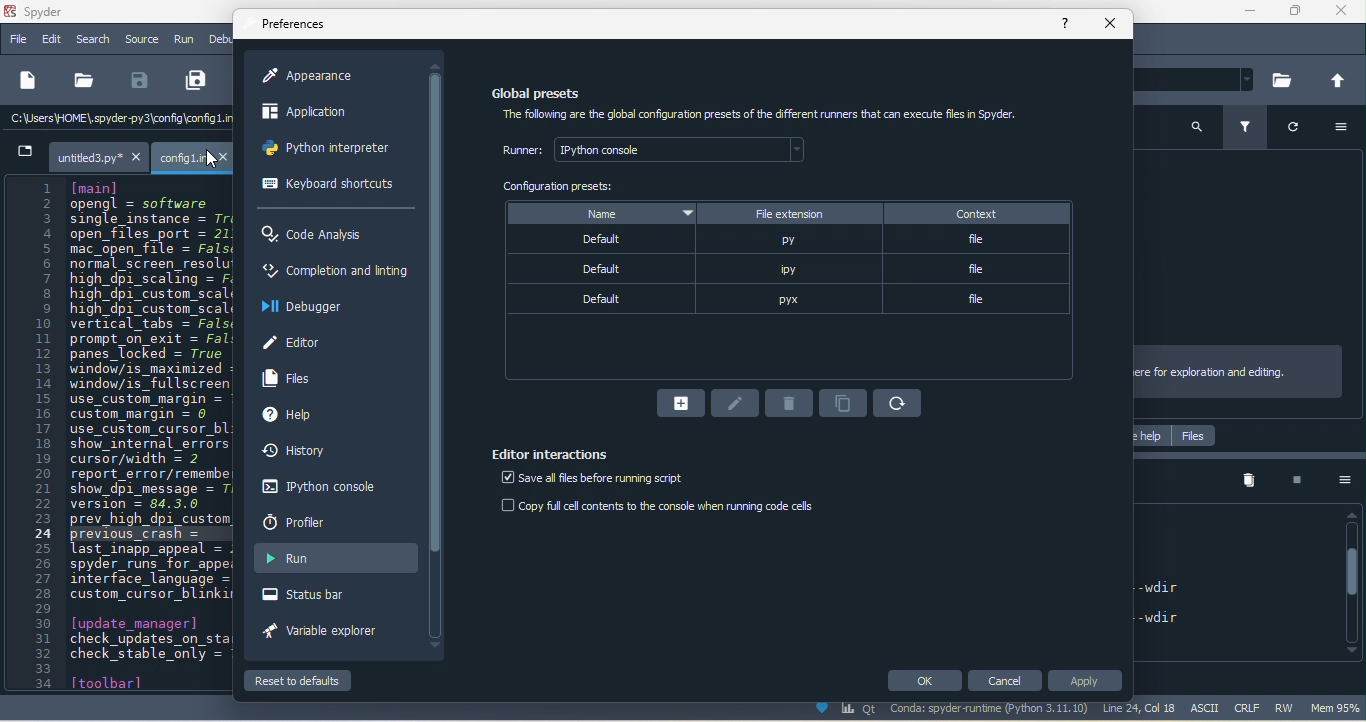  Describe the element at coordinates (332, 148) in the screenshot. I see `python interpreter` at that location.